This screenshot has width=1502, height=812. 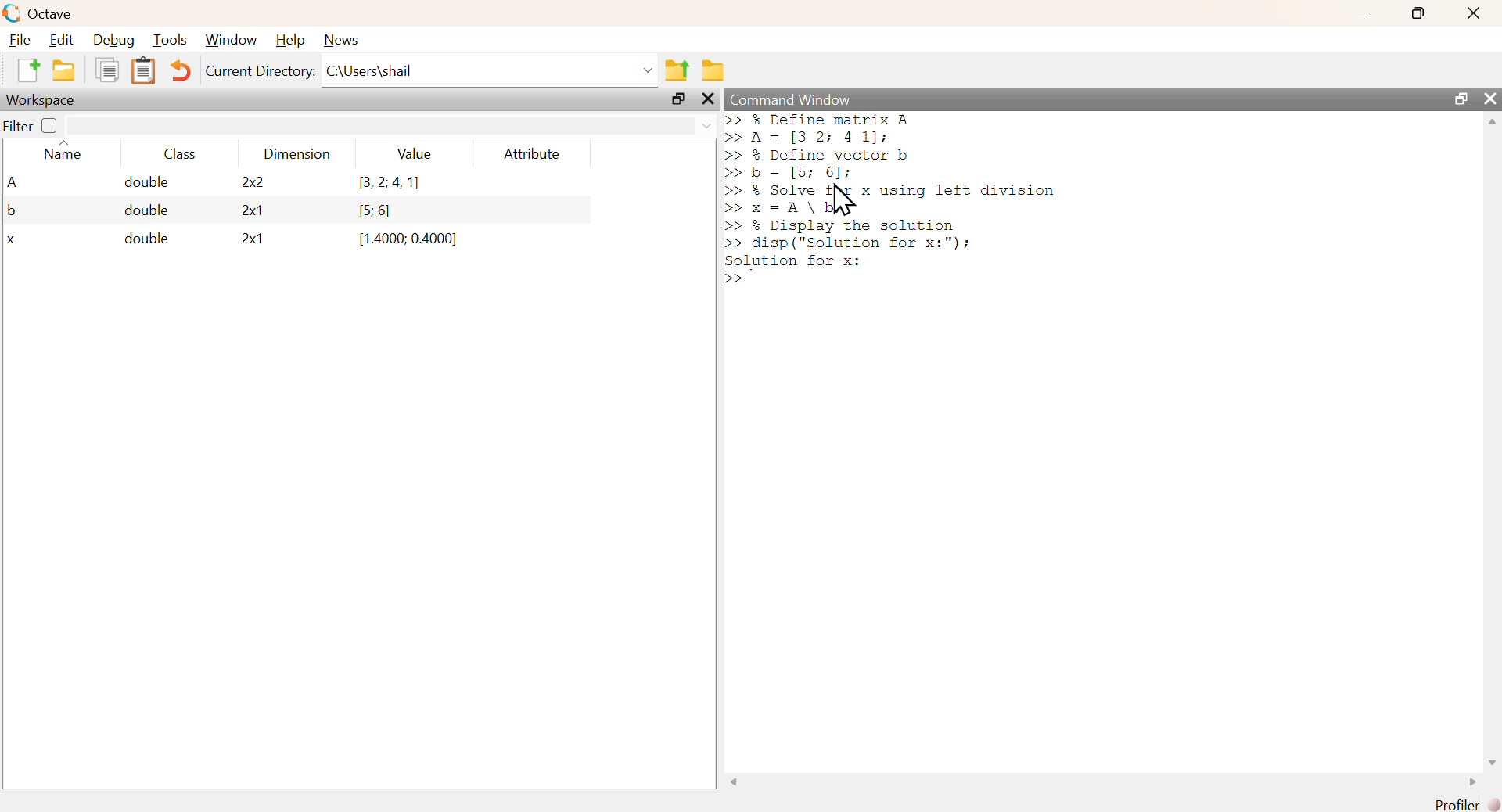 I want to click on 2x1, so click(x=246, y=241).